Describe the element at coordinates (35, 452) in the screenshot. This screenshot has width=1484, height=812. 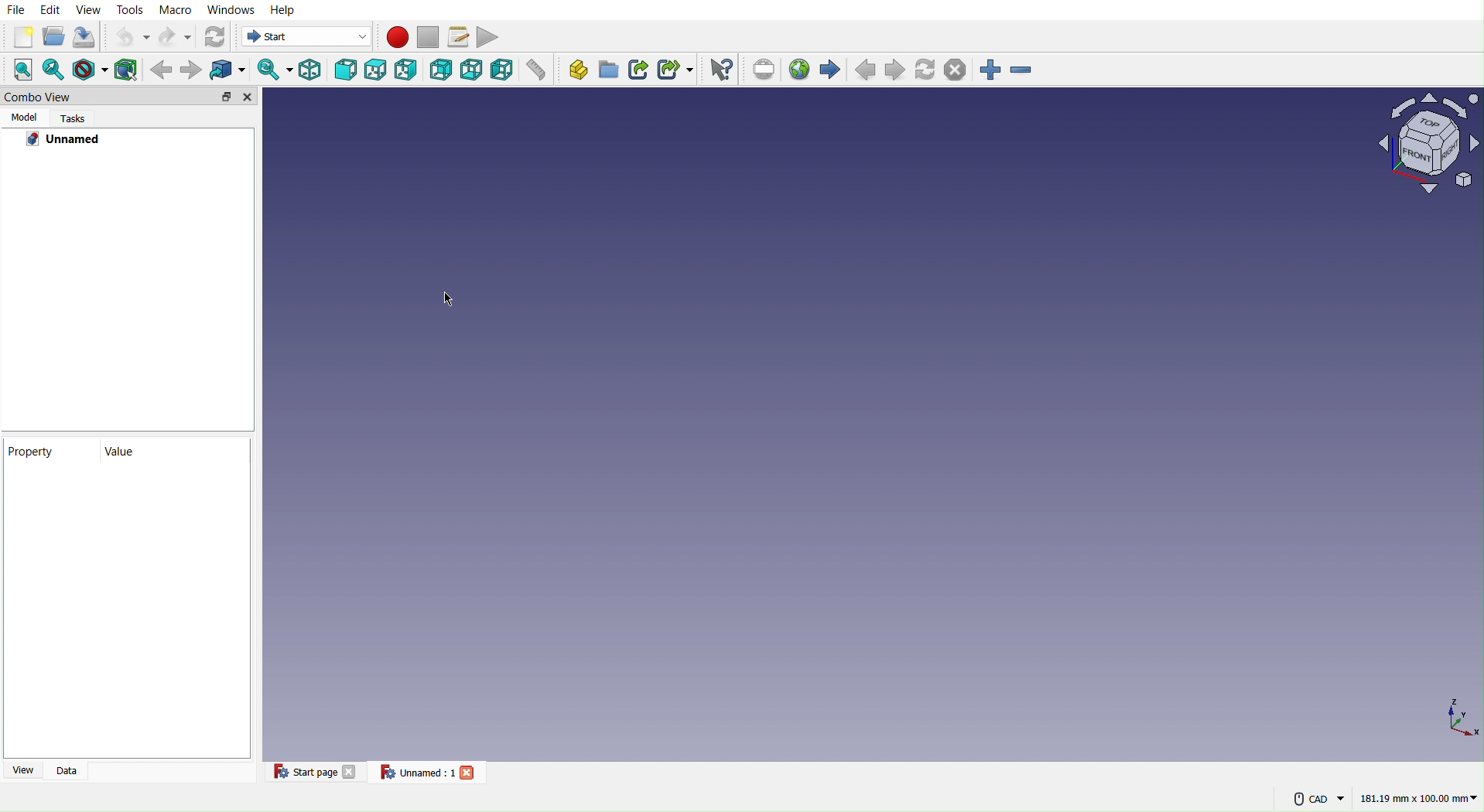
I see `Property` at that location.